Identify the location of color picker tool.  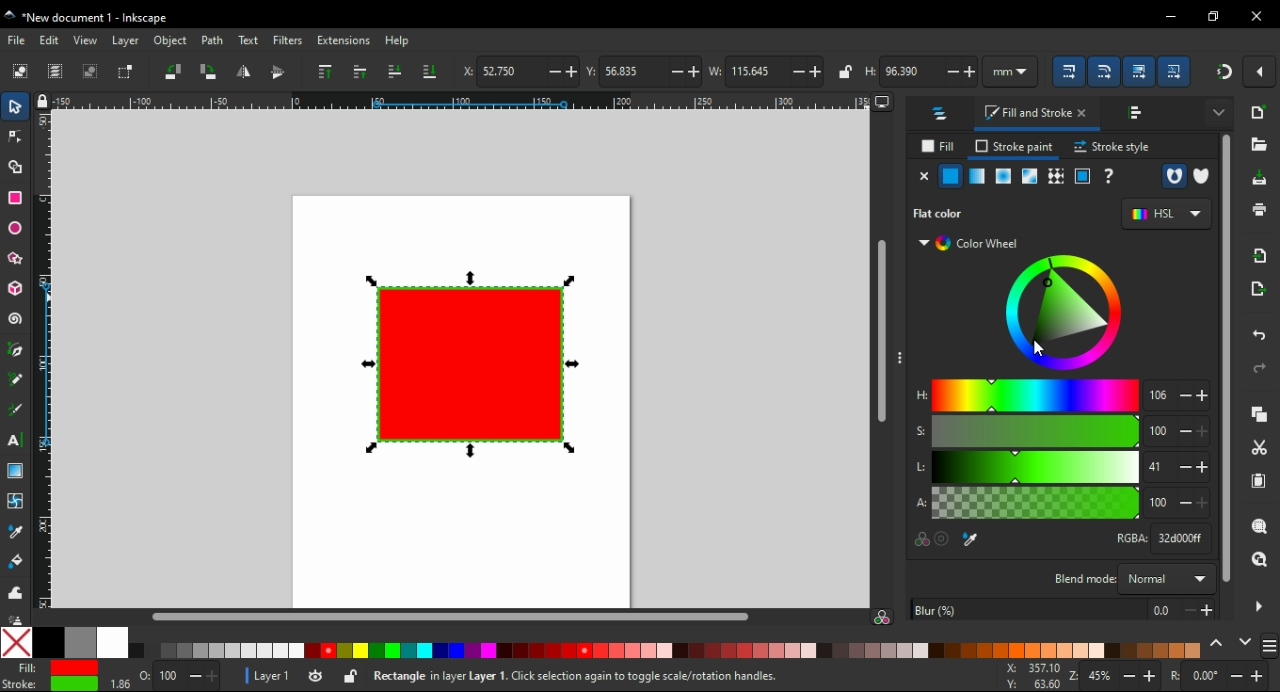
(15, 532).